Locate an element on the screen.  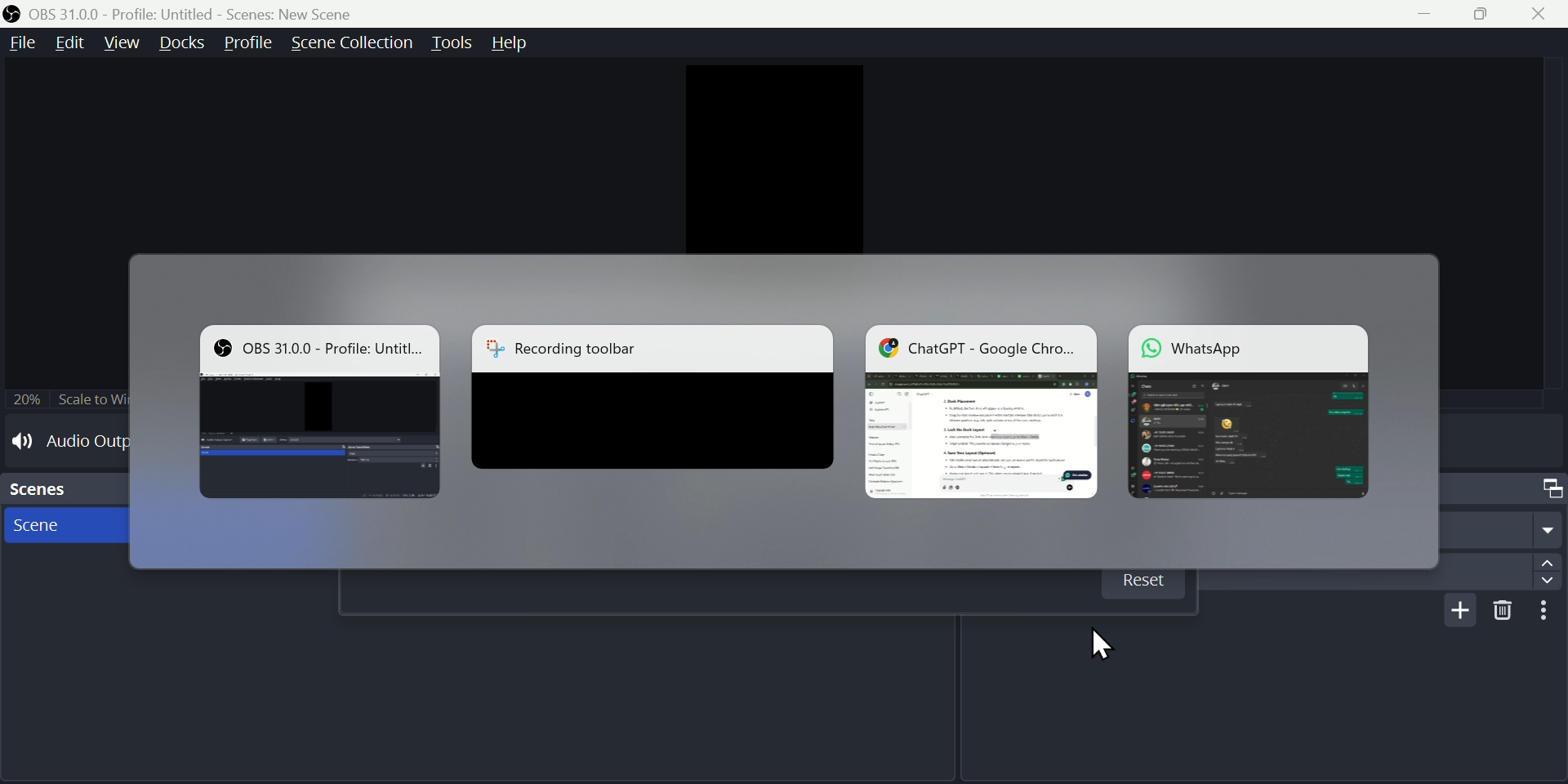
OBS 31.0.0 - Profile. Untitled - Scenes. New Scene is located at coordinates (317, 412).